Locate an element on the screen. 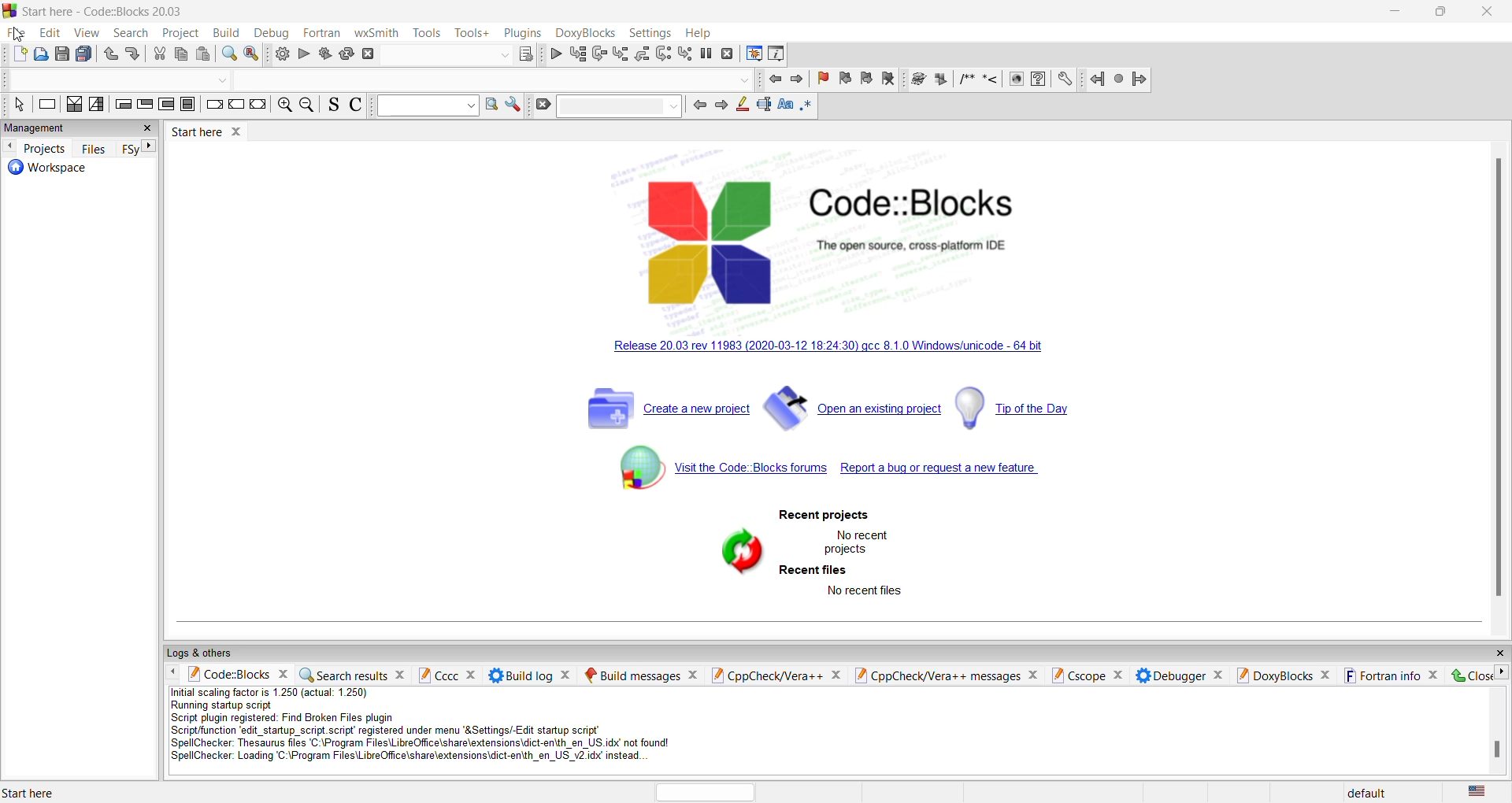 Image resolution: width=1512 pixels, height=803 pixels. script is located at coordinates (438, 726).